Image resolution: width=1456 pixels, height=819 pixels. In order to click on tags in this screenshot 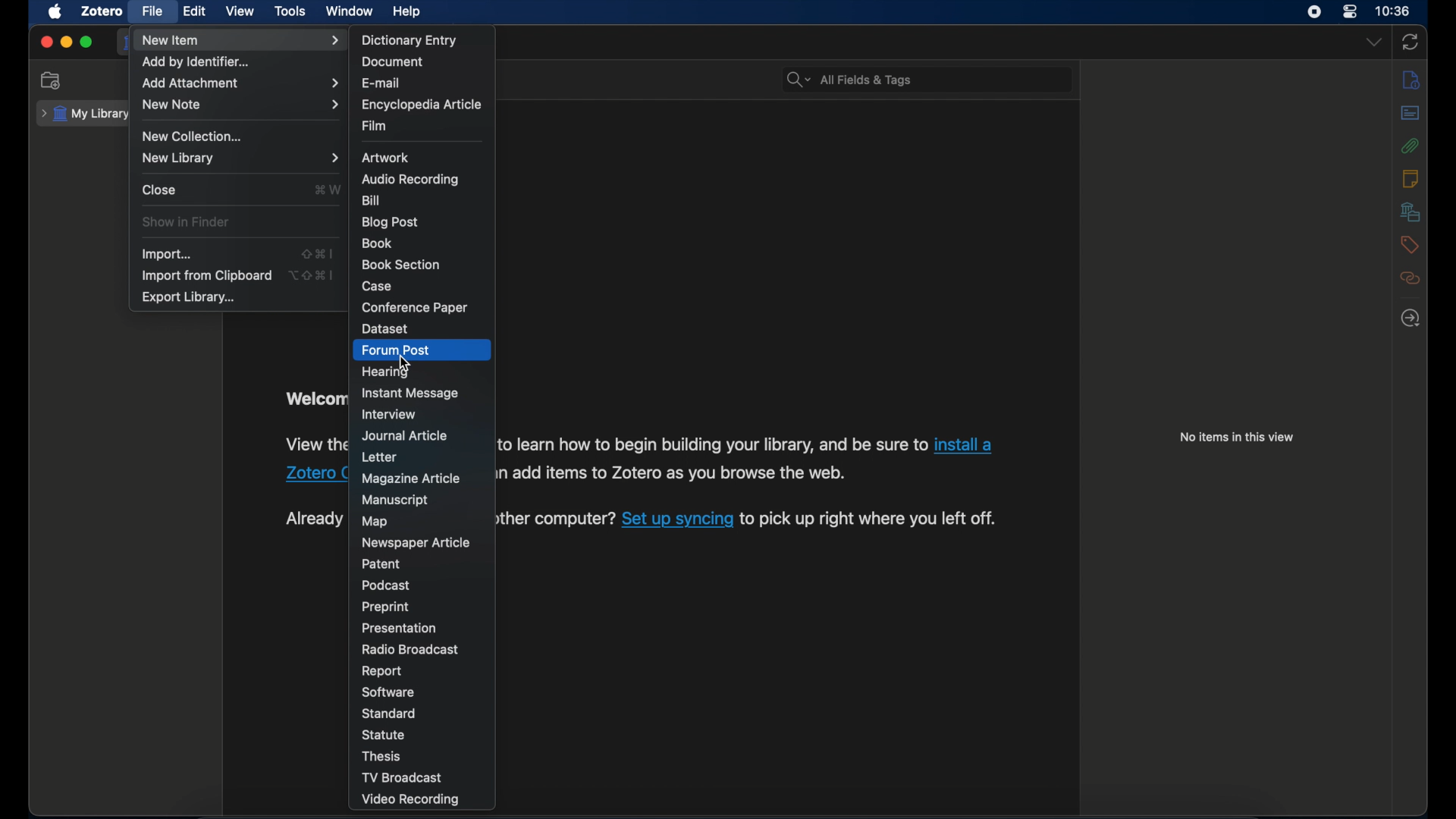, I will do `click(1410, 245)`.